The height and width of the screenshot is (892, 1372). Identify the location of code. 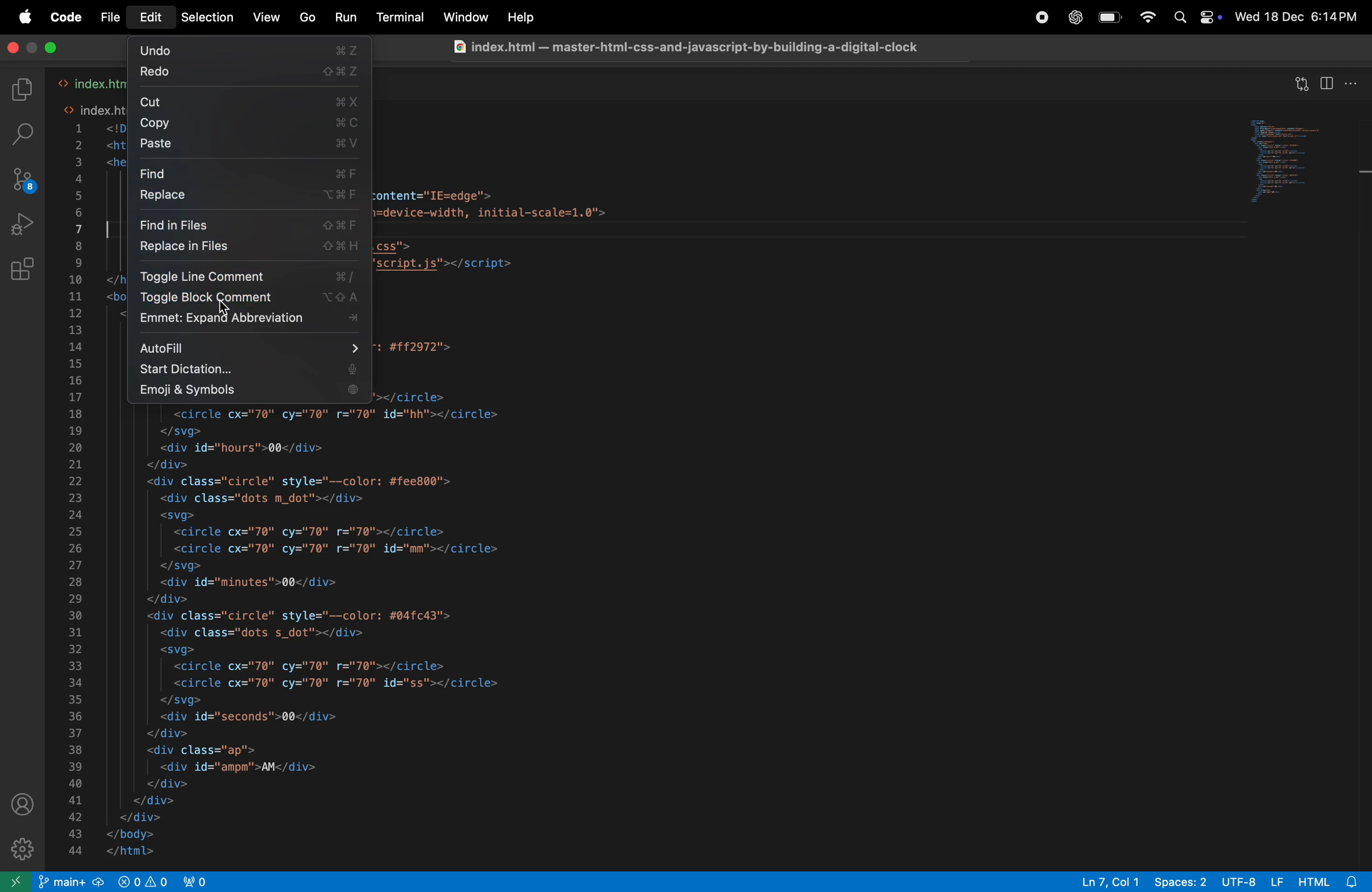
(70, 17).